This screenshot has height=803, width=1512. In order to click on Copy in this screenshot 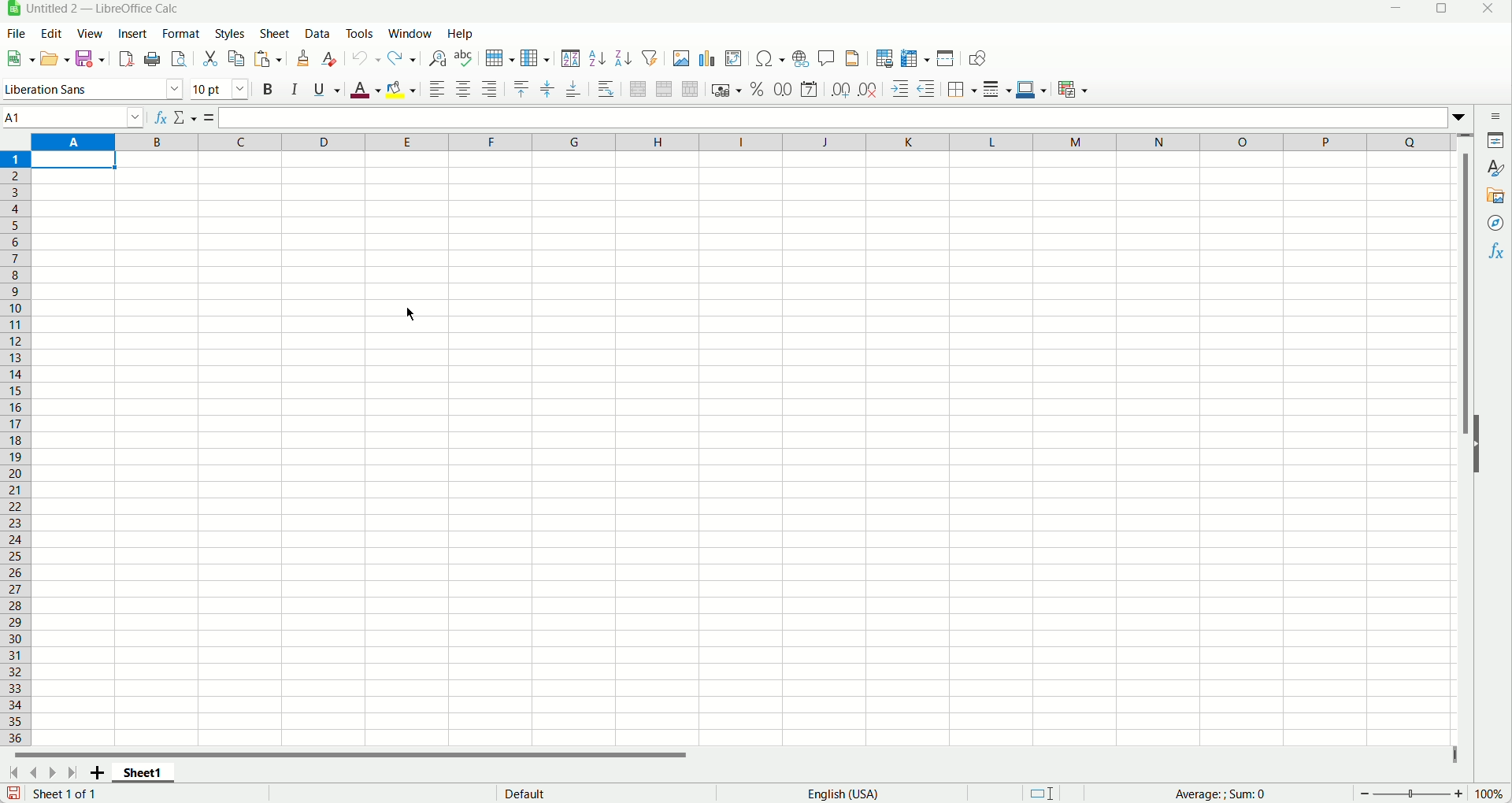, I will do `click(237, 57)`.